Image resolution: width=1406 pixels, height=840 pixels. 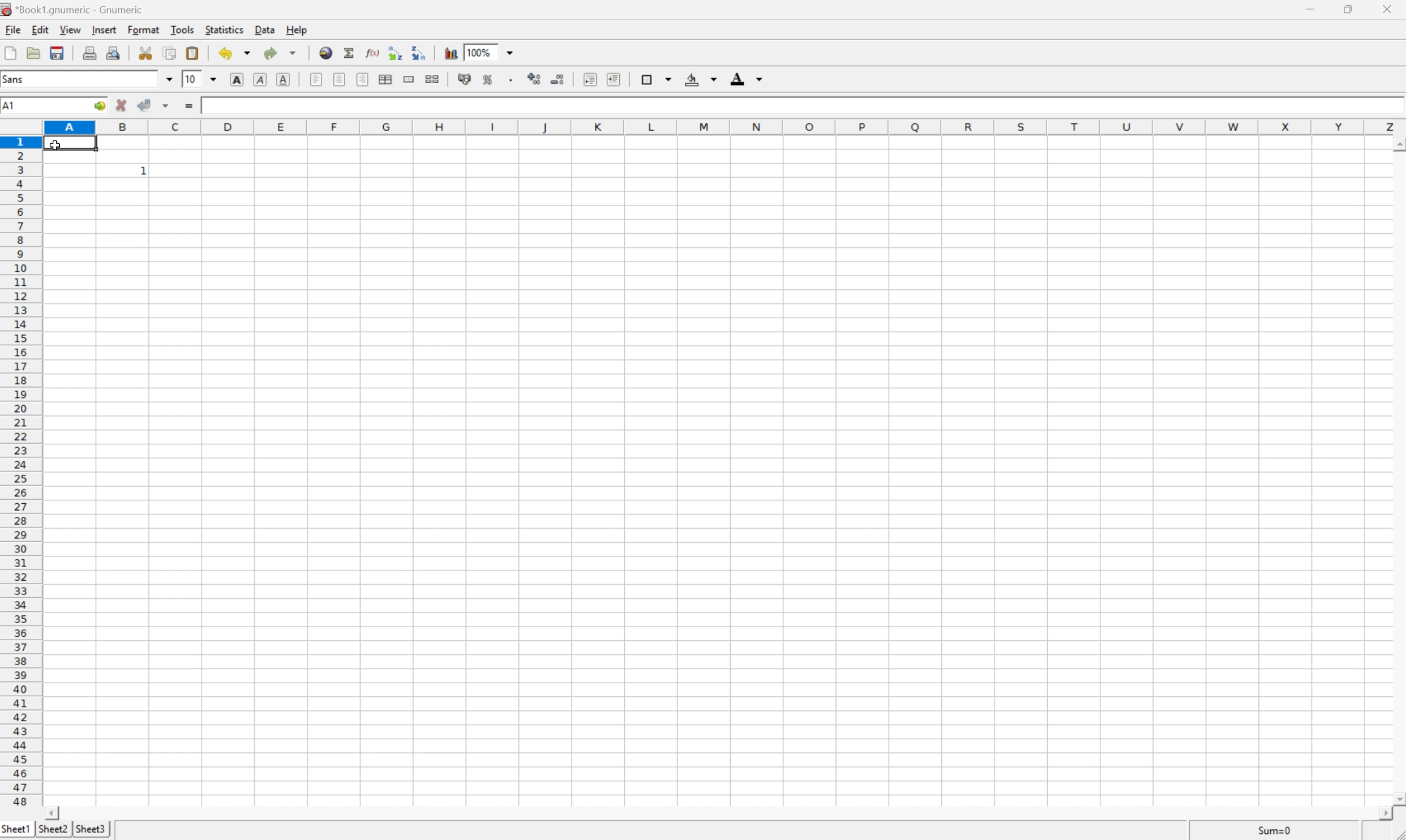 What do you see at coordinates (421, 52) in the screenshot?
I see `sort the selected region in descending order based on the first column selected ` at bounding box center [421, 52].